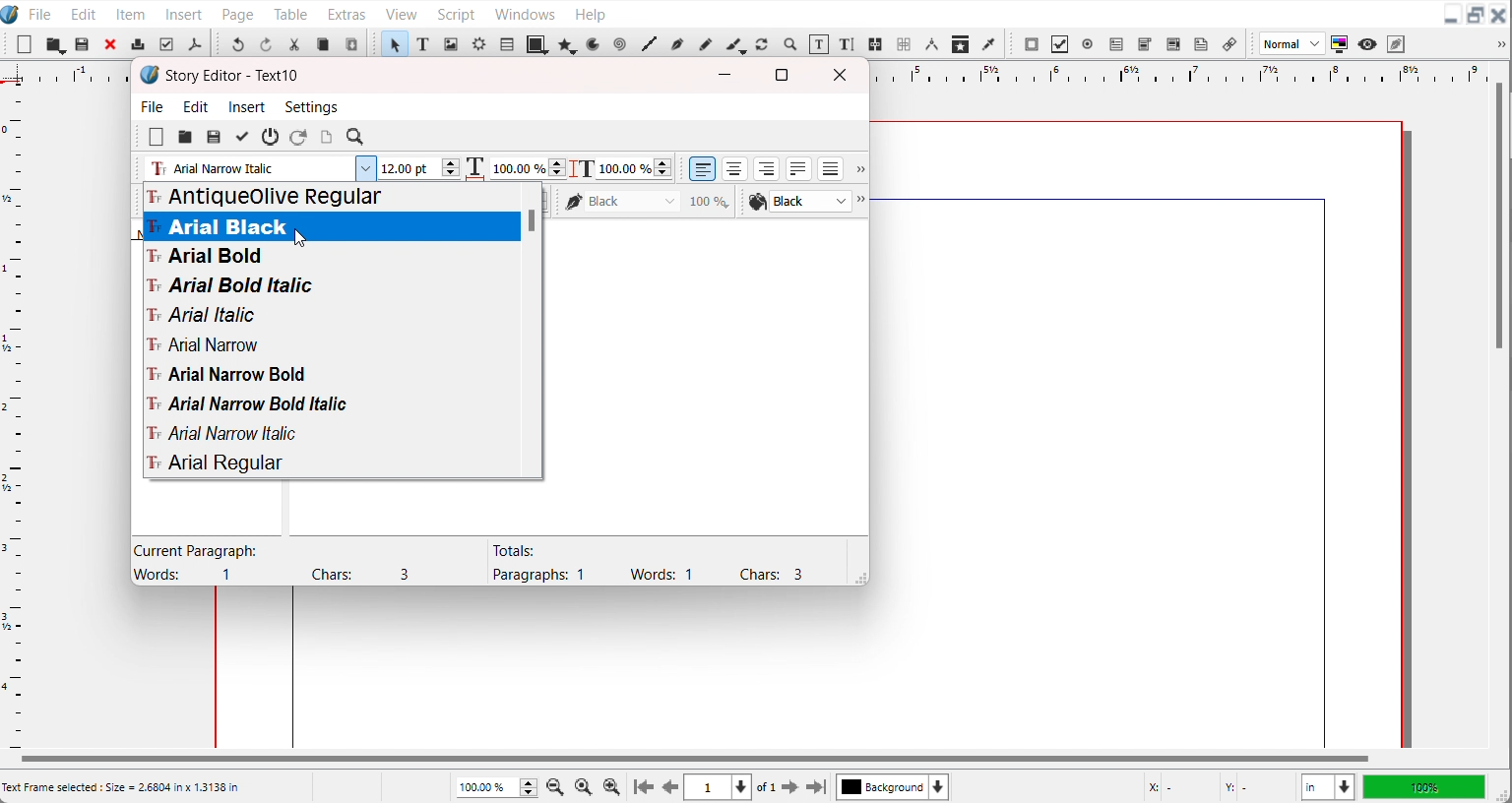 This screenshot has width=1512, height=803. Describe the element at coordinates (331, 463) in the screenshot. I see `Font` at that location.